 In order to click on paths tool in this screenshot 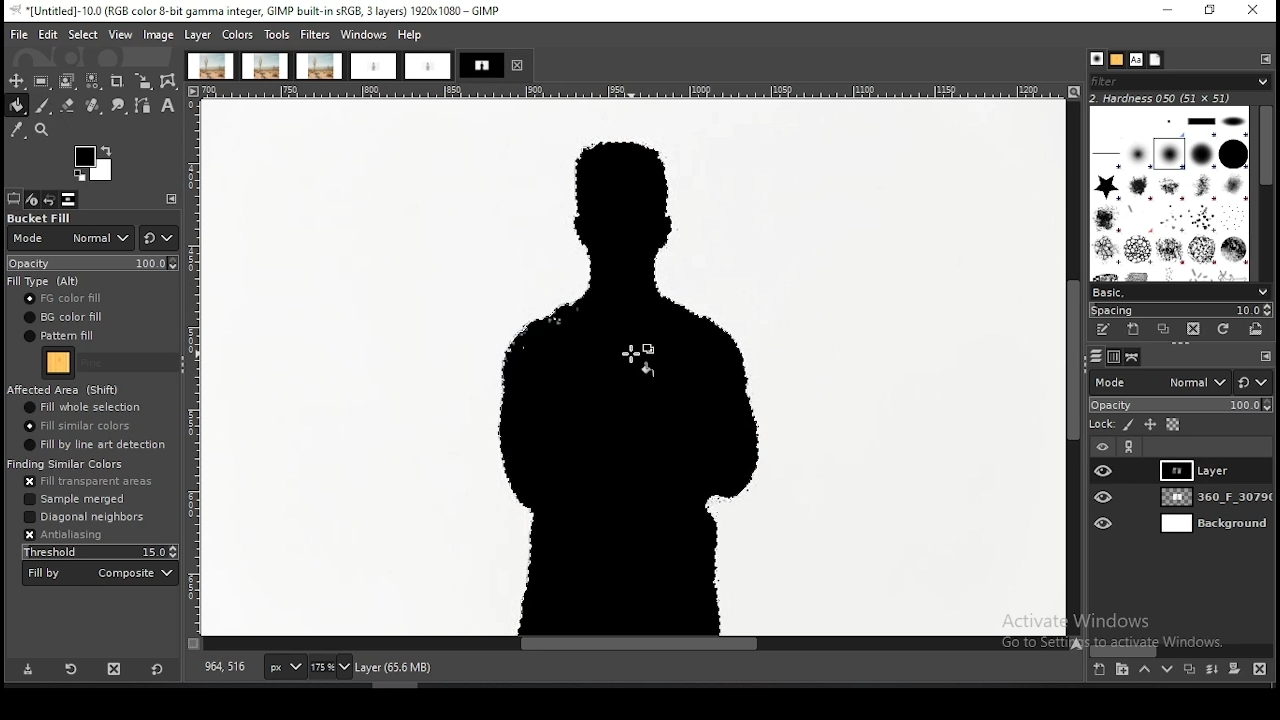, I will do `click(145, 107)`.